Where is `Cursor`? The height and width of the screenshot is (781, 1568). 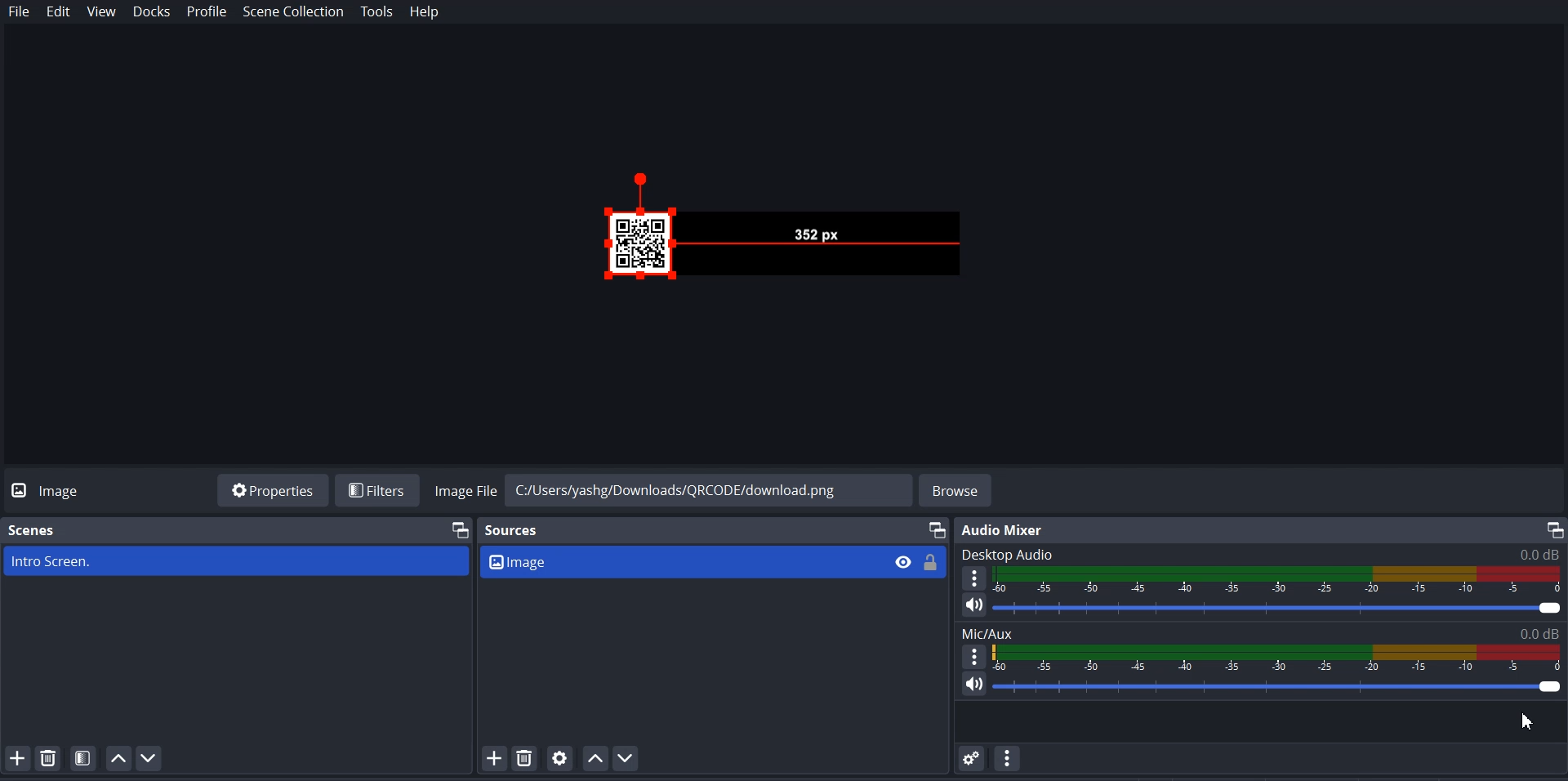 Cursor is located at coordinates (1526, 721).